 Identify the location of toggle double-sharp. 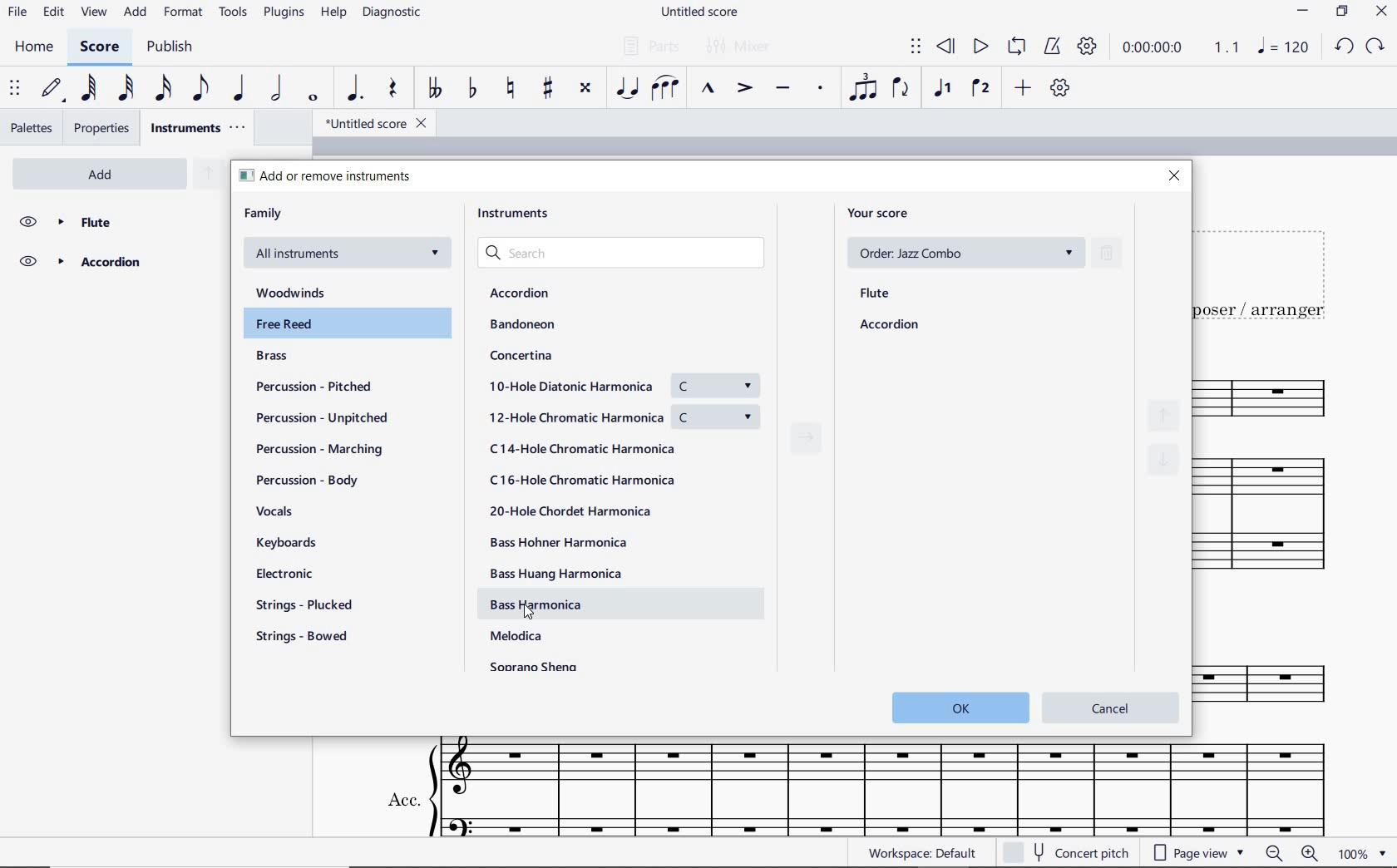
(585, 91).